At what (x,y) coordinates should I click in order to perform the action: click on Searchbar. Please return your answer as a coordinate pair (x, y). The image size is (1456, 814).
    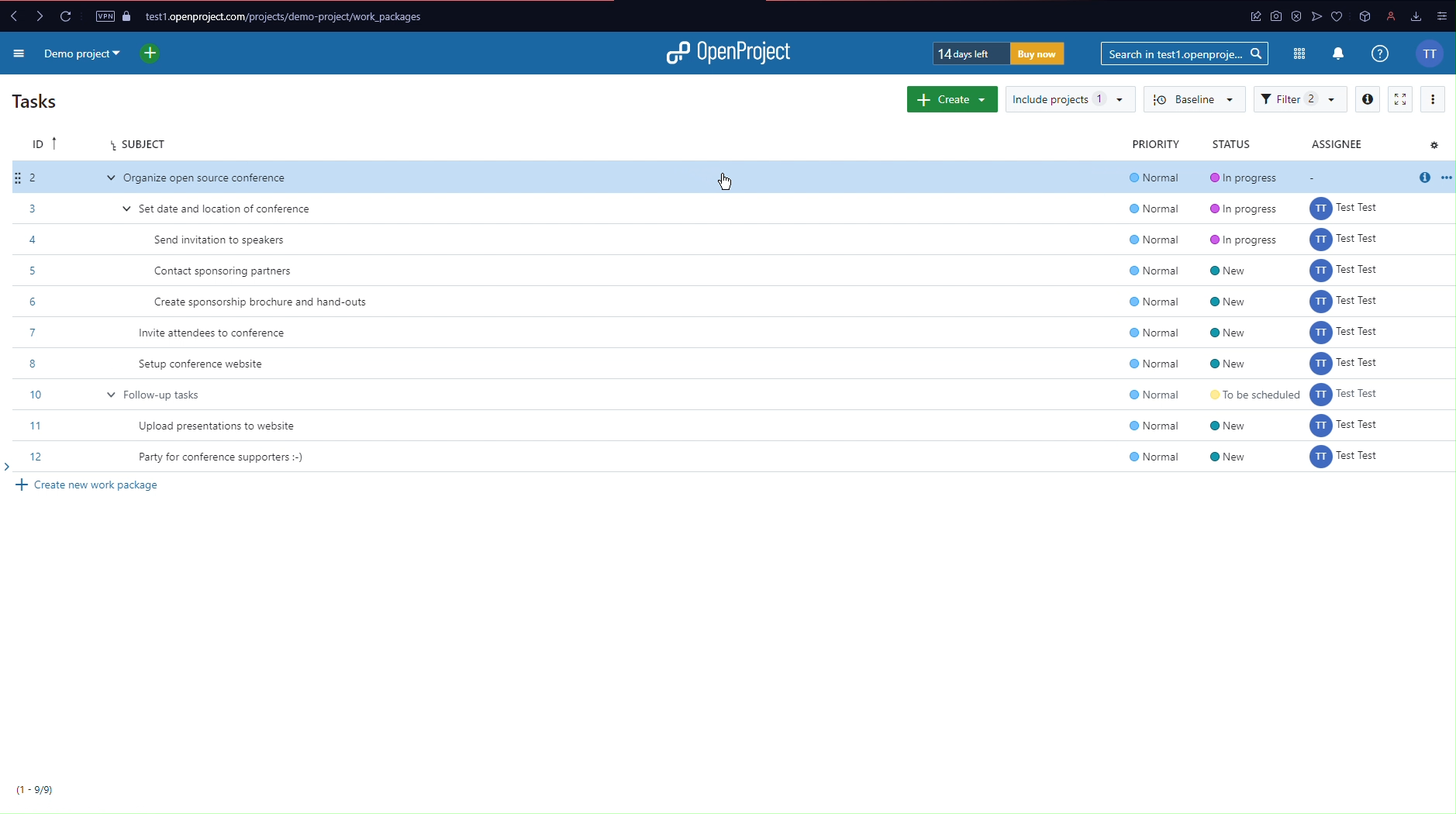
    Looking at the image, I should click on (1185, 54).